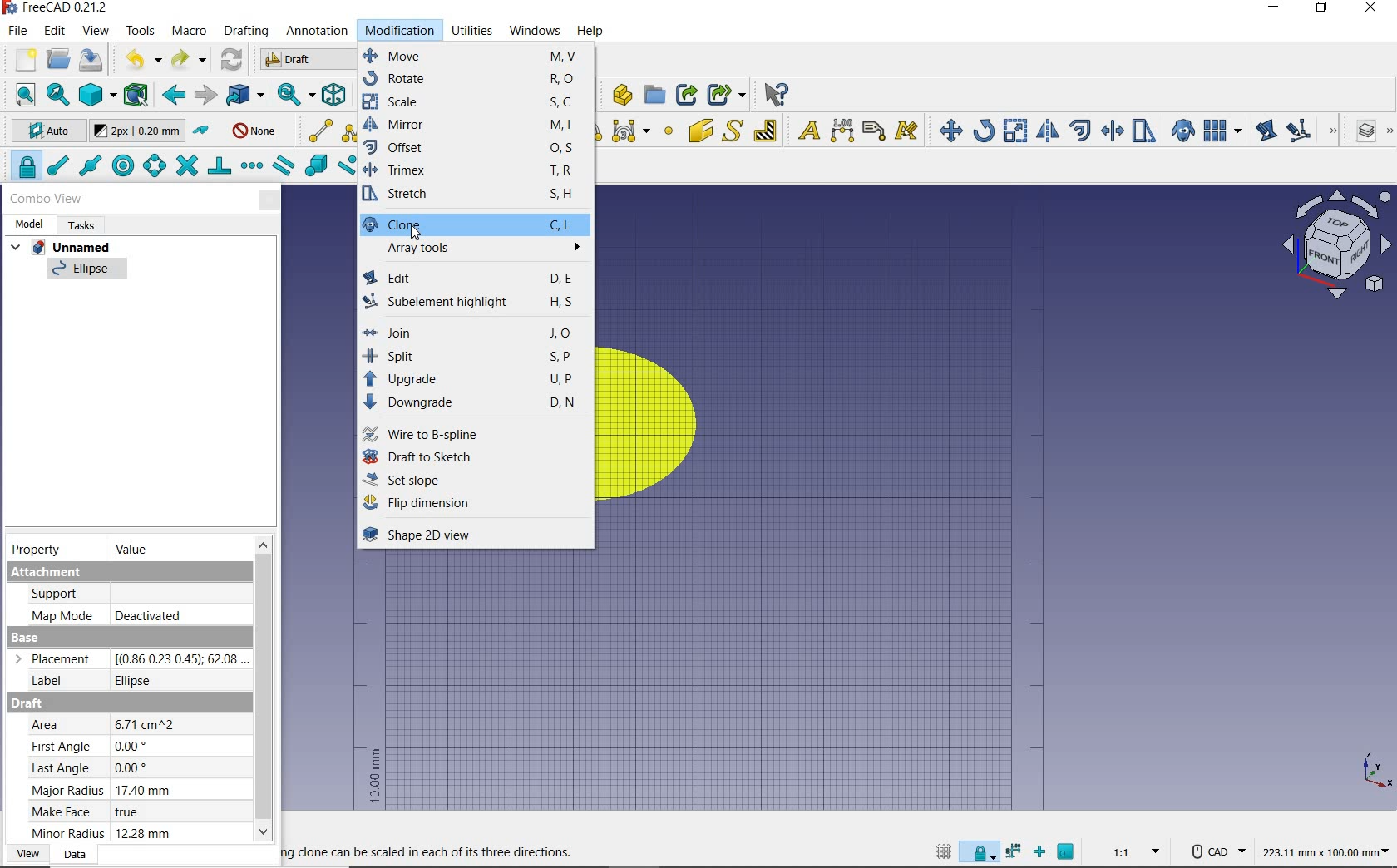 Image resolution: width=1397 pixels, height=868 pixels. Describe the element at coordinates (476, 538) in the screenshot. I see `shape 2D view` at that location.